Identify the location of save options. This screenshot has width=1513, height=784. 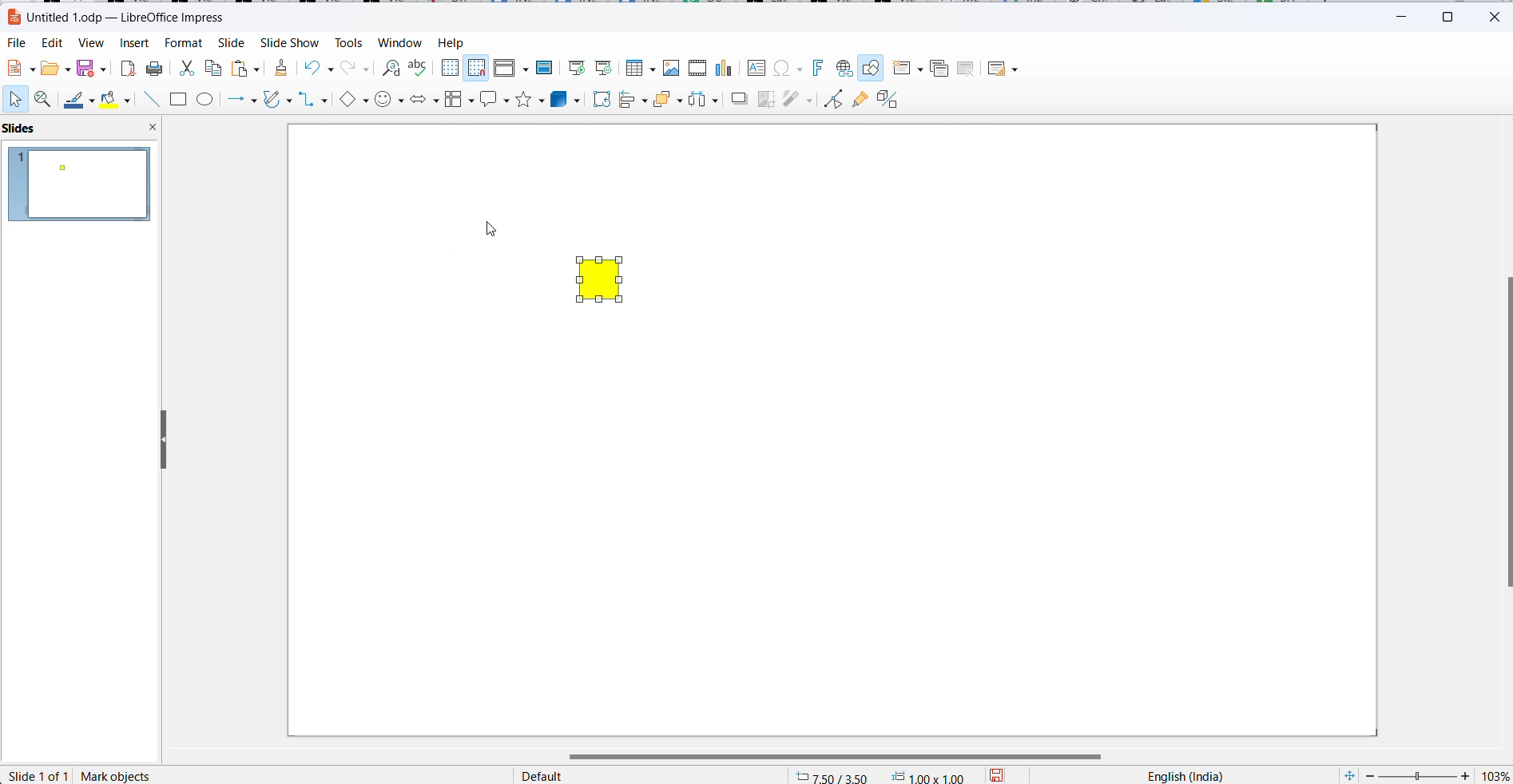
(1001, 774).